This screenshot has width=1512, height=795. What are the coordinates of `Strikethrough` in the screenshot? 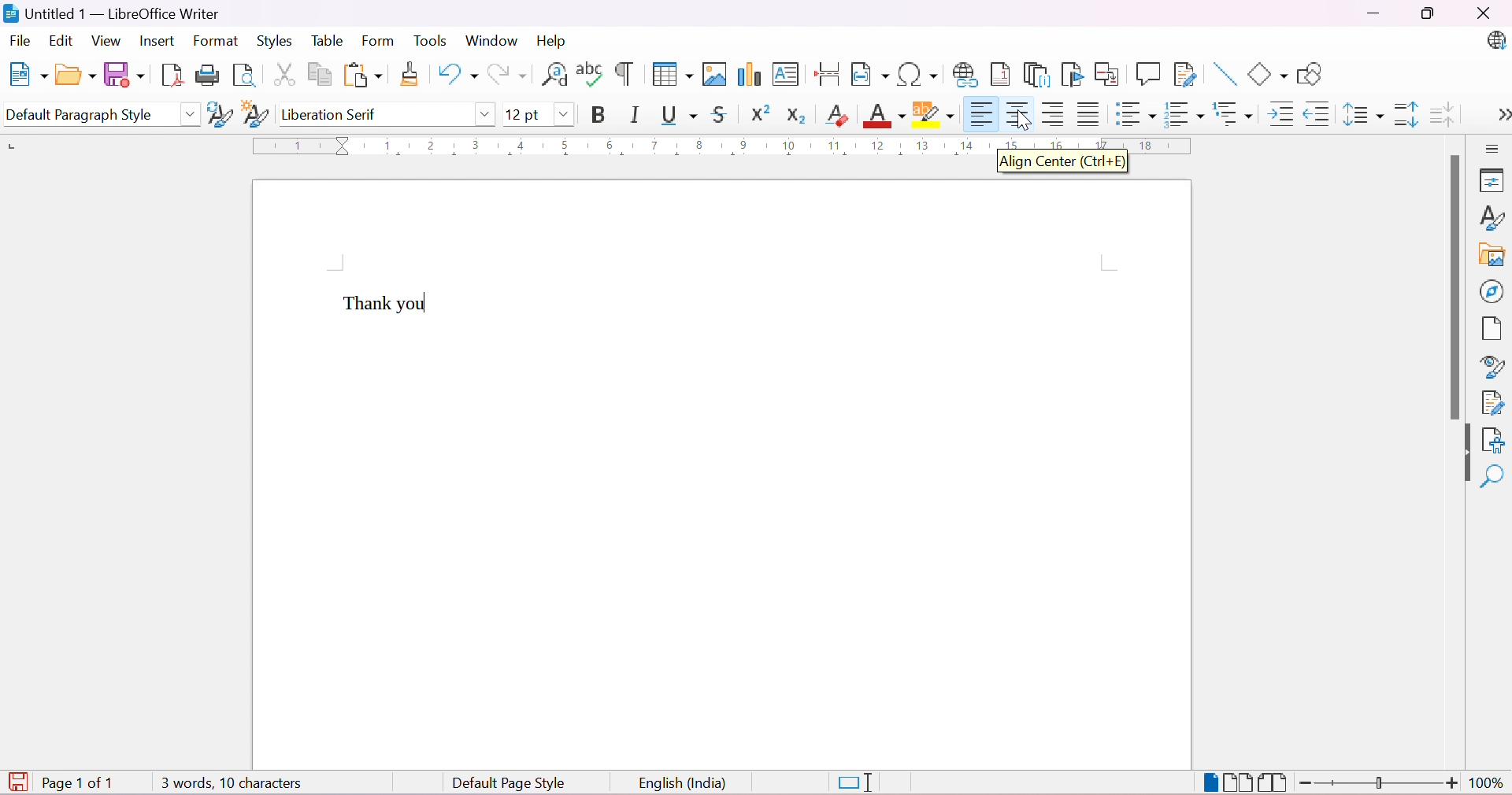 It's located at (721, 113).